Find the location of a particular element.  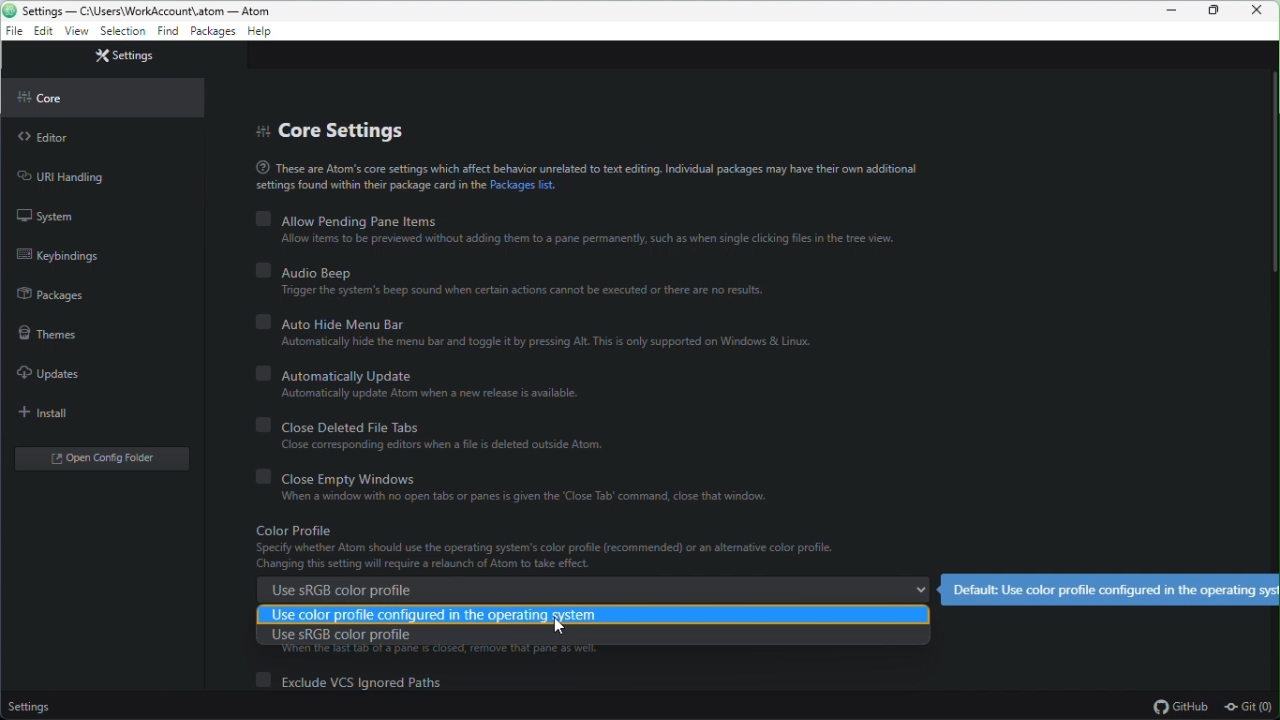

Editor is located at coordinates (50, 139).